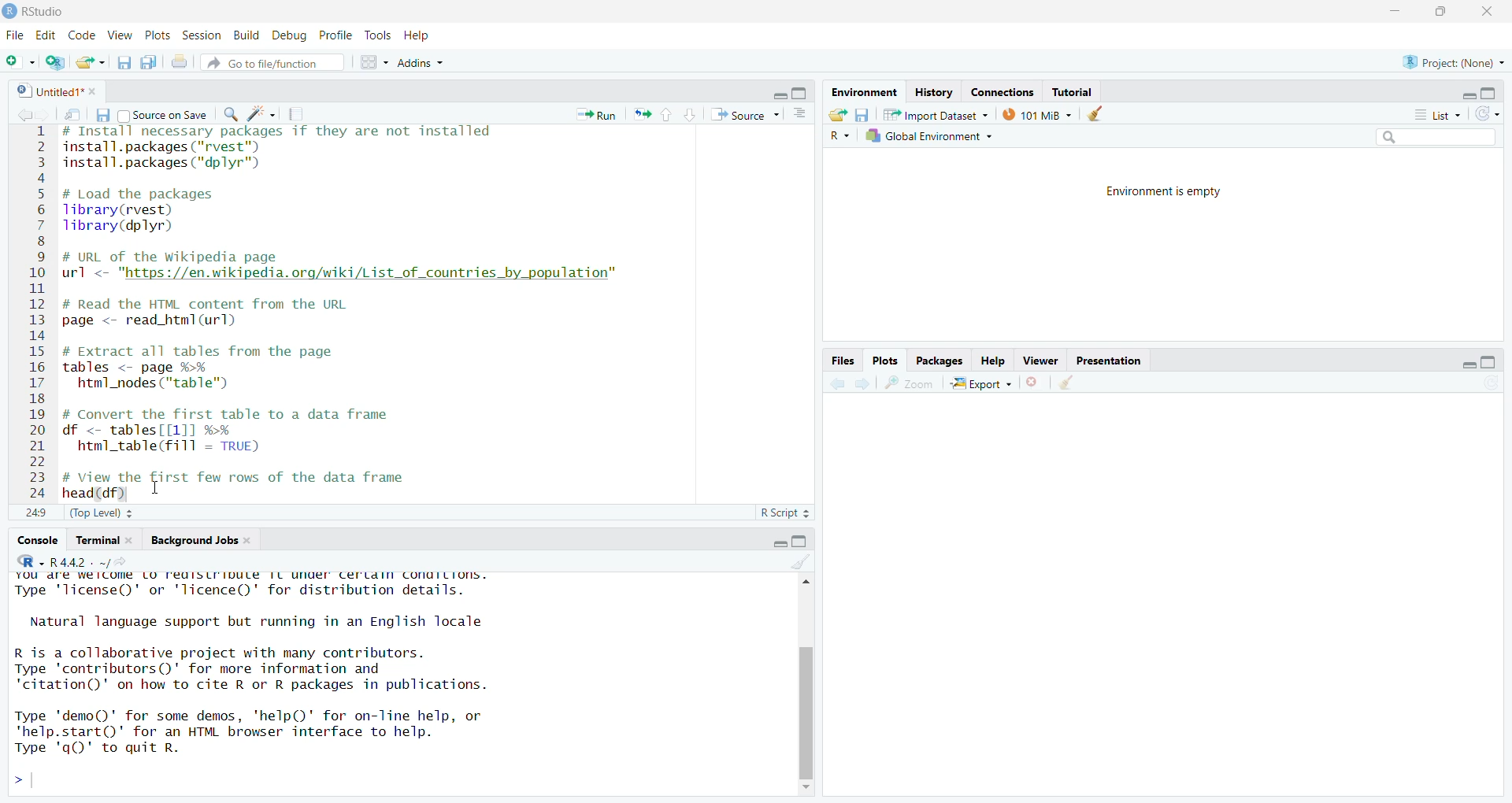  I want to click on cursor, so click(160, 492).